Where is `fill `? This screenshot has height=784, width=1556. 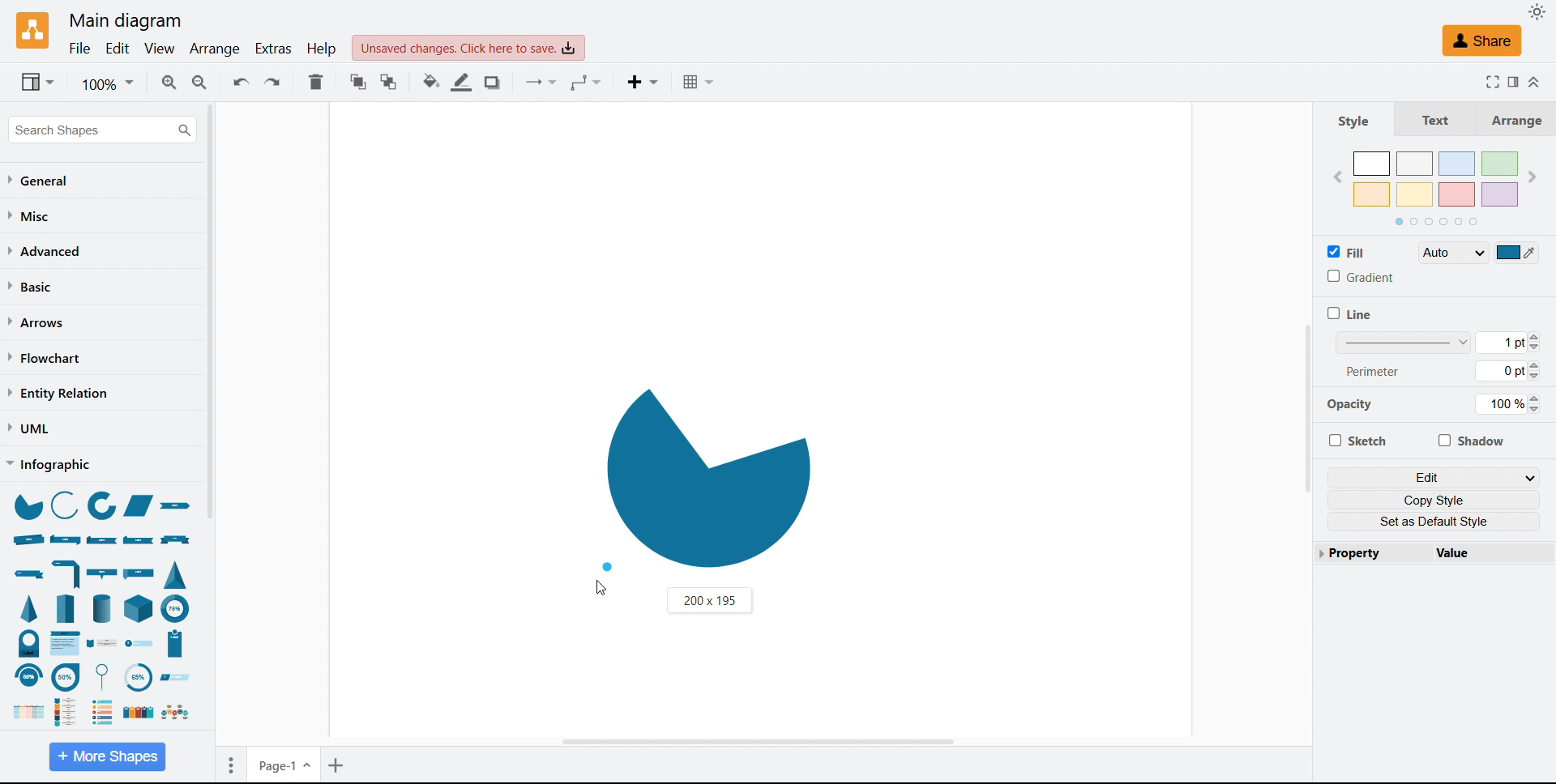
fill  is located at coordinates (1347, 251).